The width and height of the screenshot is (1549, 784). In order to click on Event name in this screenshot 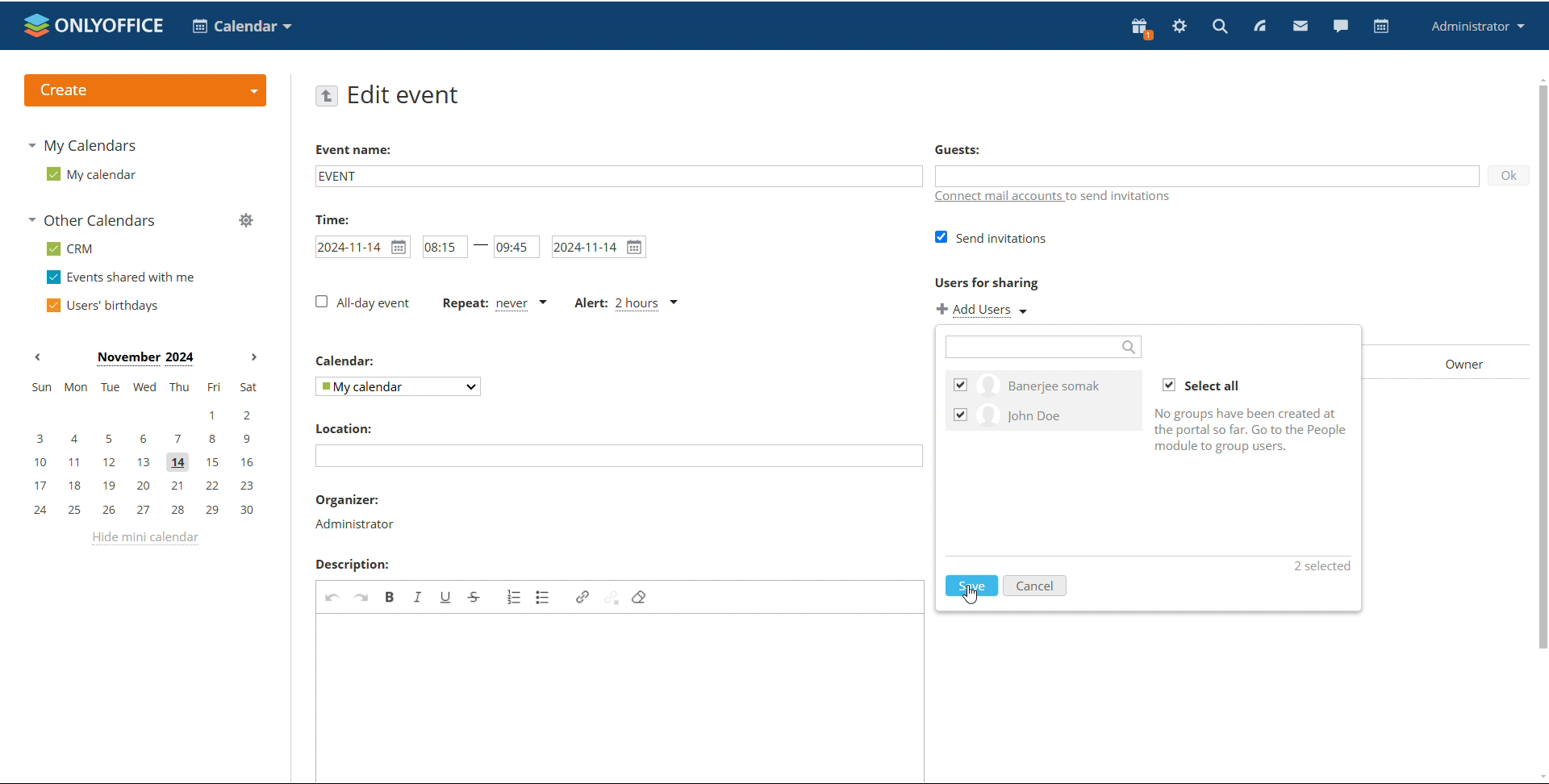, I will do `click(353, 149)`.